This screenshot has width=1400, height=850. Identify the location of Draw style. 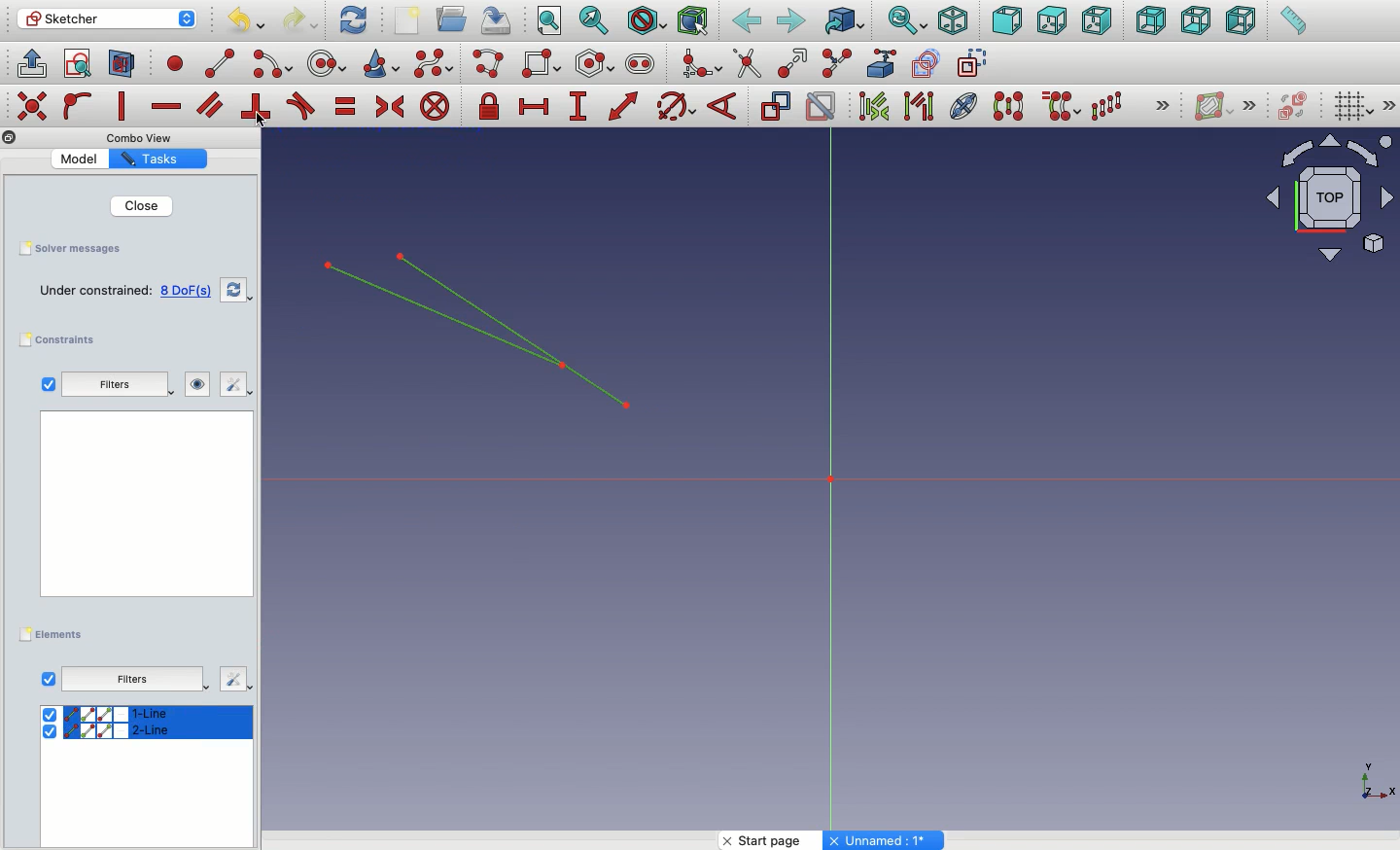
(647, 20).